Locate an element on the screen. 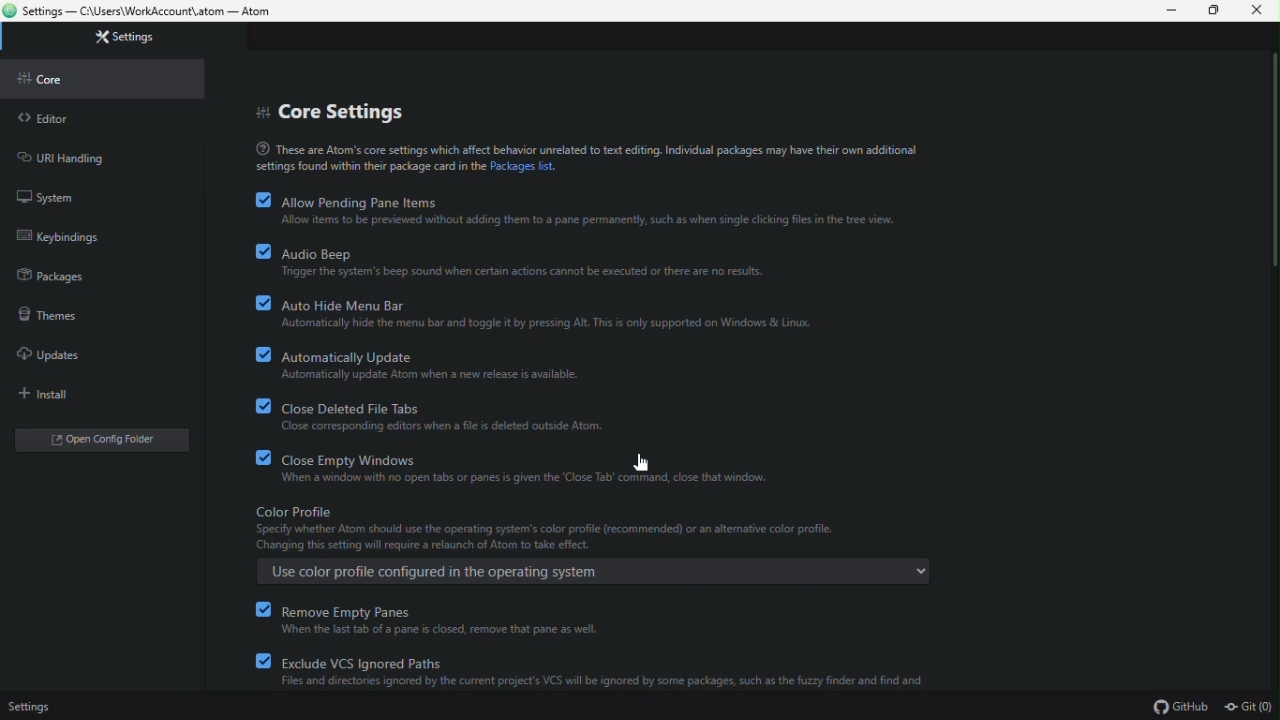 This screenshot has width=1280, height=720. checkbox  is located at coordinates (251, 406).